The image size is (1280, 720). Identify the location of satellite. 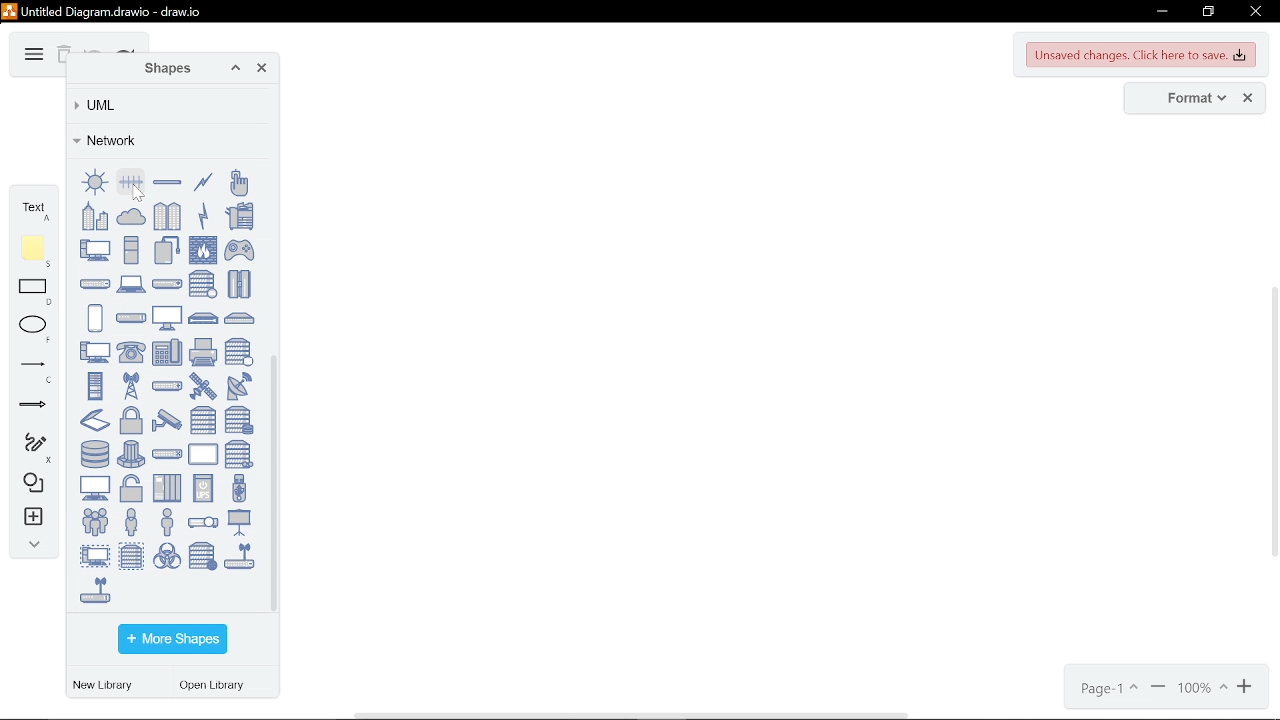
(203, 386).